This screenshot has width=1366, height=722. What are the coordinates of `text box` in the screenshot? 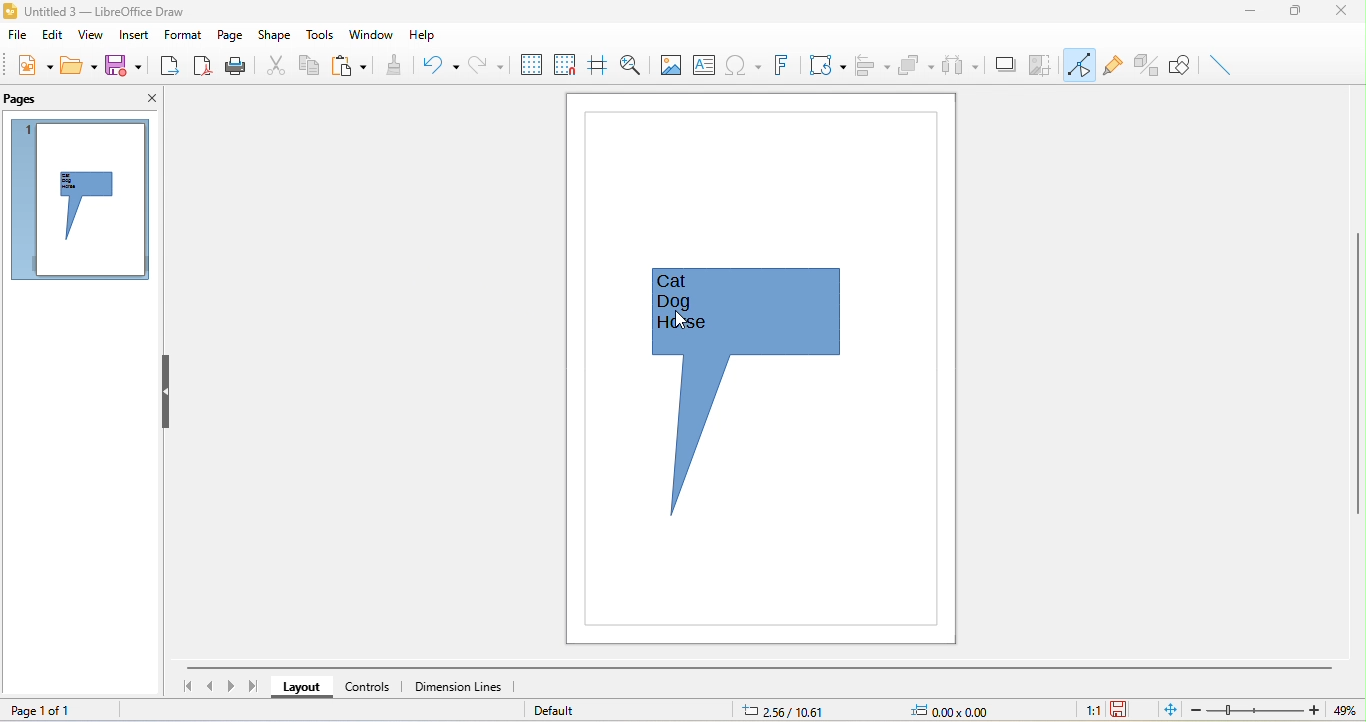 It's located at (704, 67).